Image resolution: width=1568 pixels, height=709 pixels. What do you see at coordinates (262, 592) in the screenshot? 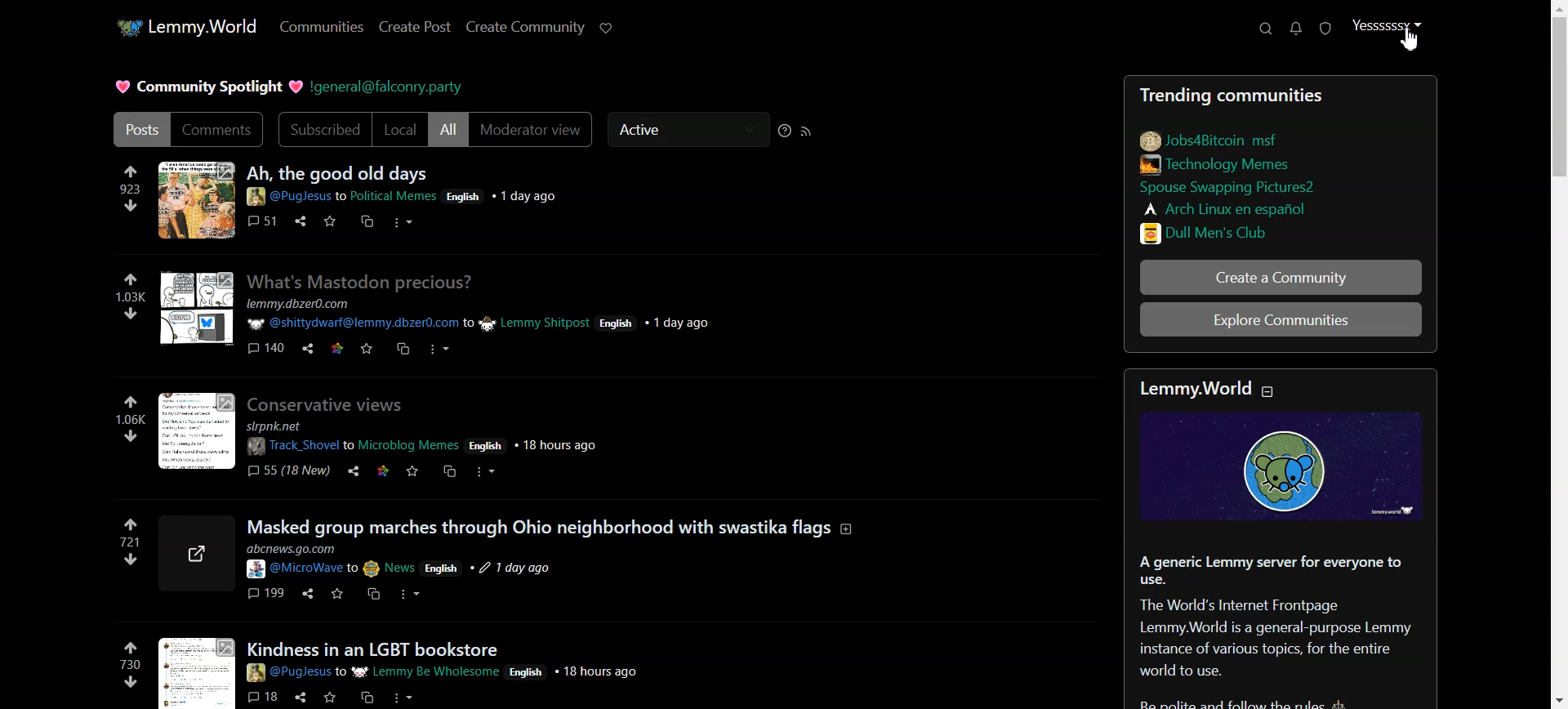
I see `comments` at bounding box center [262, 592].